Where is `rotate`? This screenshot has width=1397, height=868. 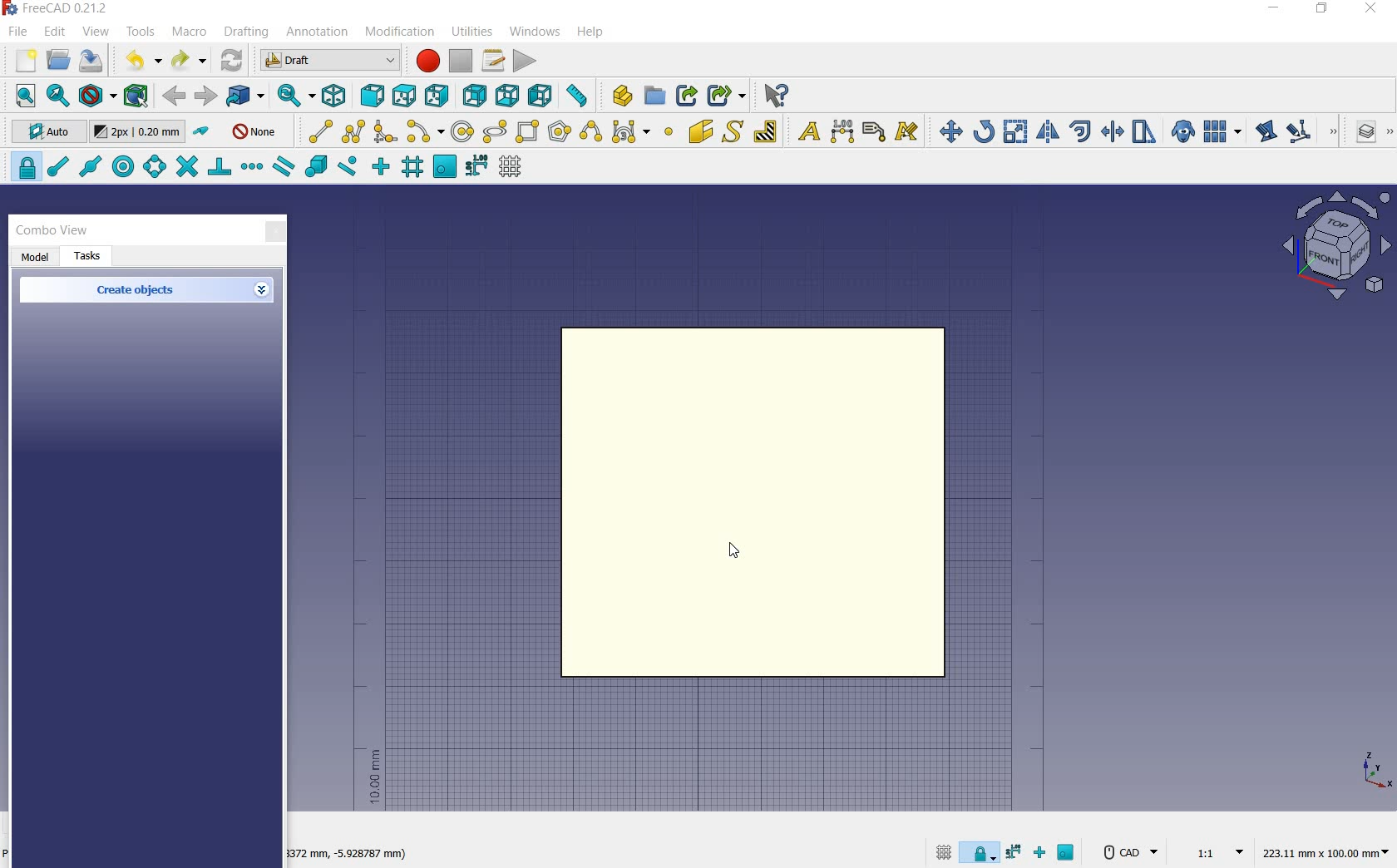
rotate is located at coordinates (984, 131).